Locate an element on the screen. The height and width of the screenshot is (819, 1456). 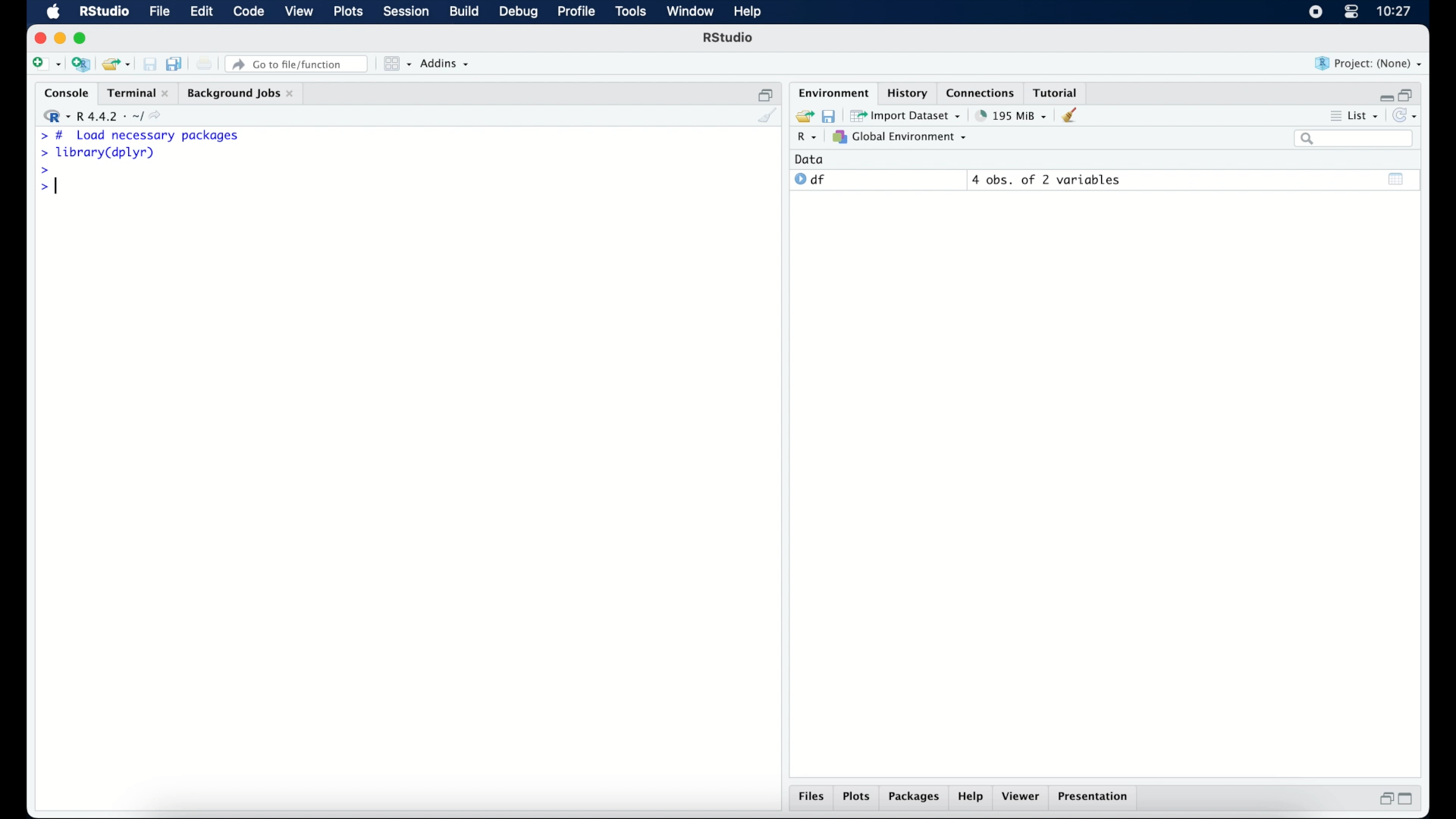
load workspace is located at coordinates (802, 115).